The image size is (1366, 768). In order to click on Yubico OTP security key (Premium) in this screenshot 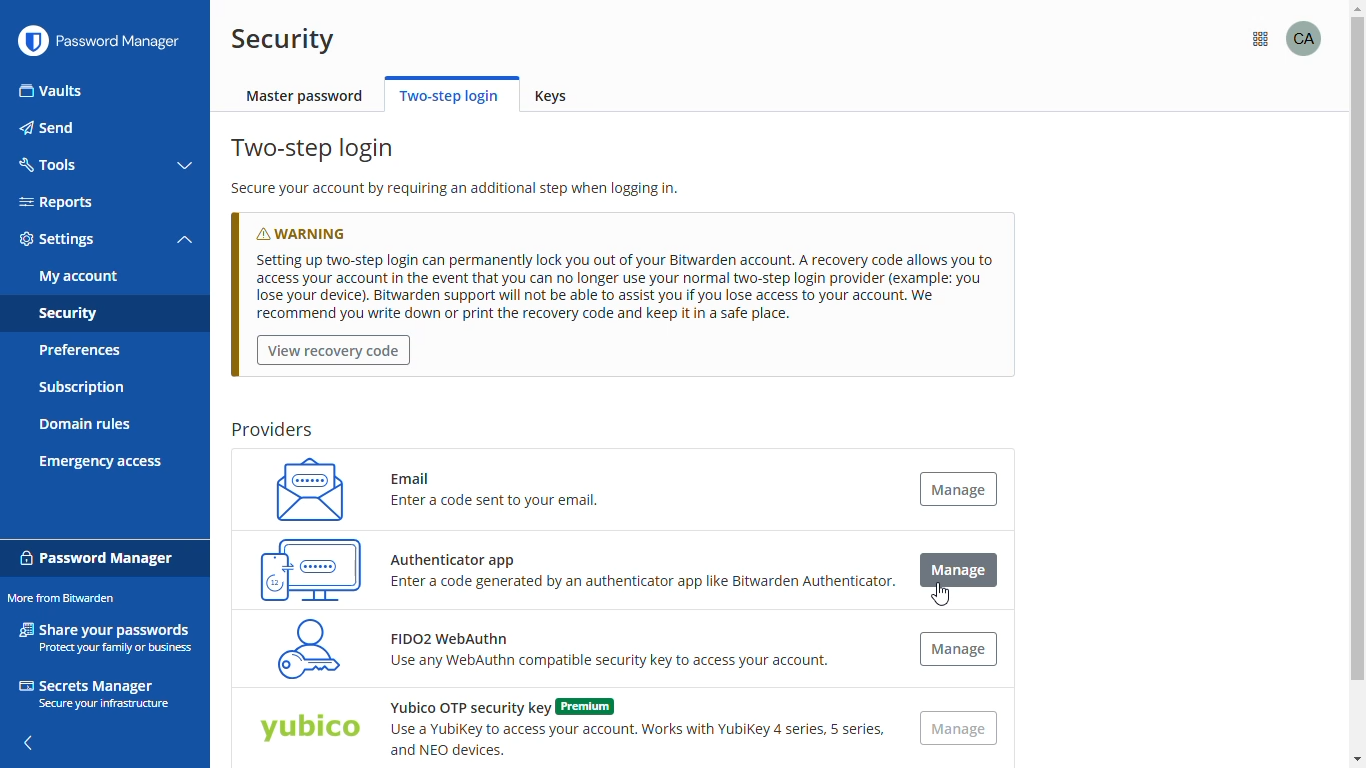, I will do `click(309, 730)`.